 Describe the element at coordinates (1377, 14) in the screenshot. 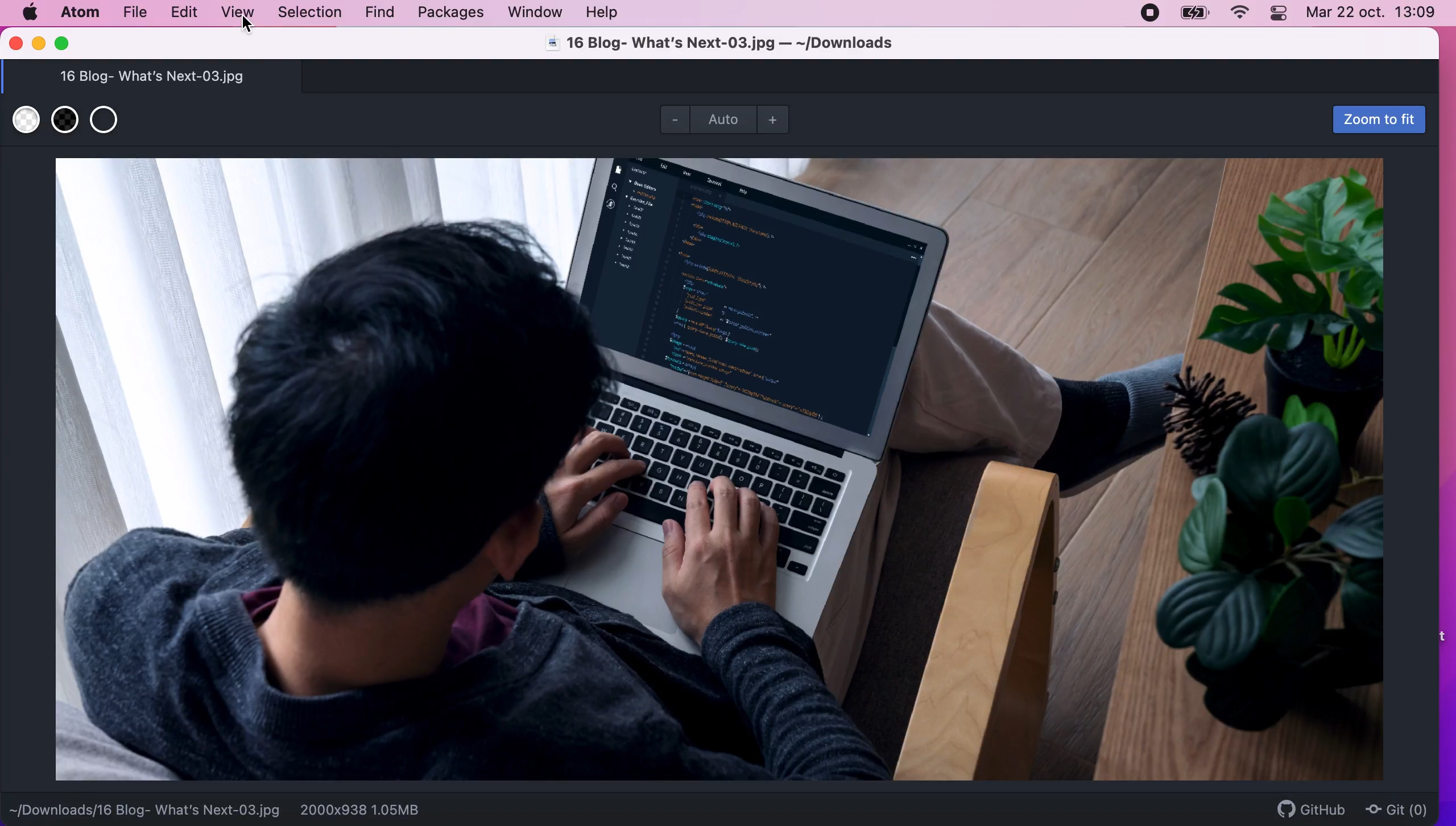

I see `Mar 22 oct, 13:09` at that location.